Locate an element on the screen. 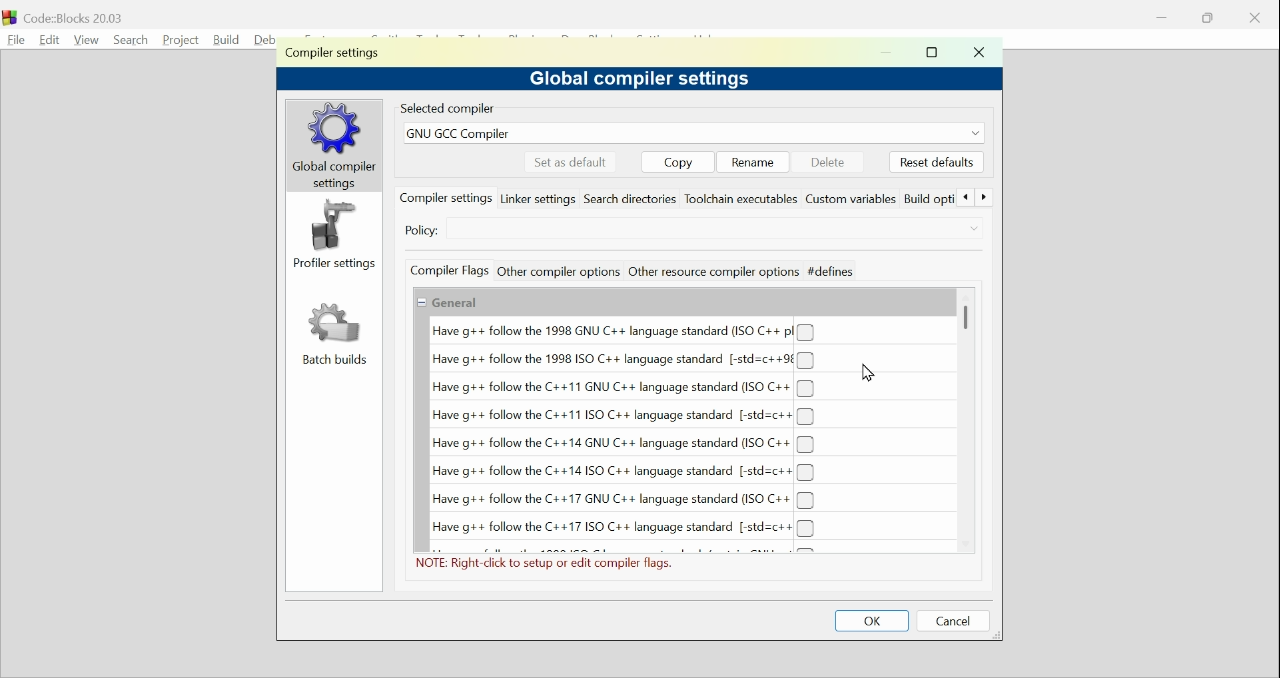  Set as default is located at coordinates (570, 161).